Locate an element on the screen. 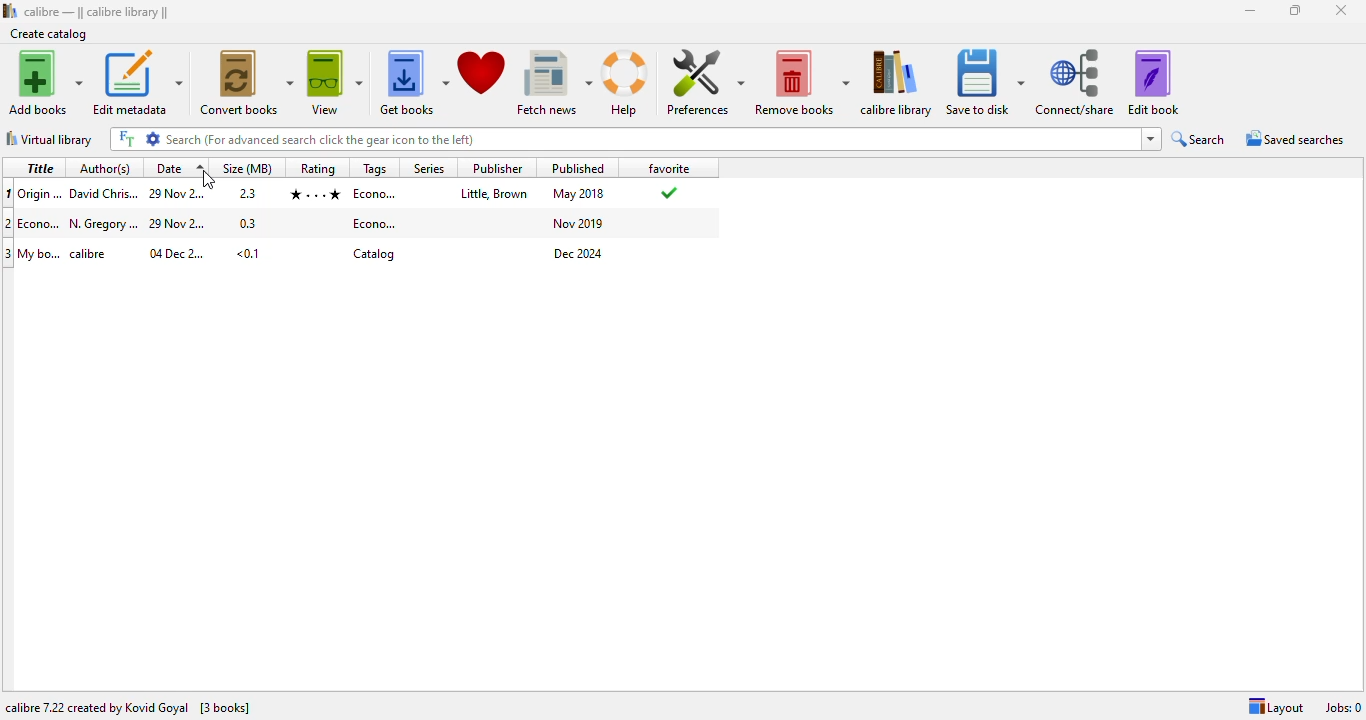 The height and width of the screenshot is (720, 1366). rating is located at coordinates (318, 167).